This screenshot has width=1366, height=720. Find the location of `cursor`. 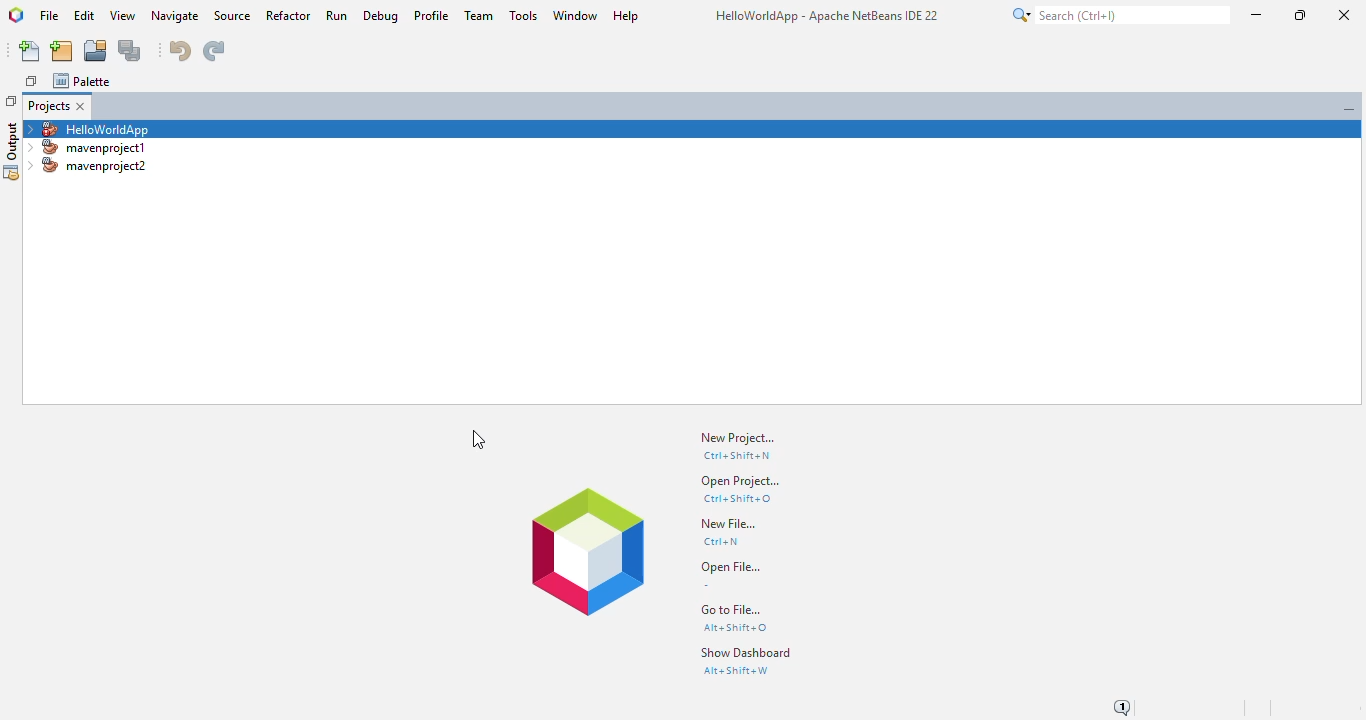

cursor is located at coordinates (479, 440).